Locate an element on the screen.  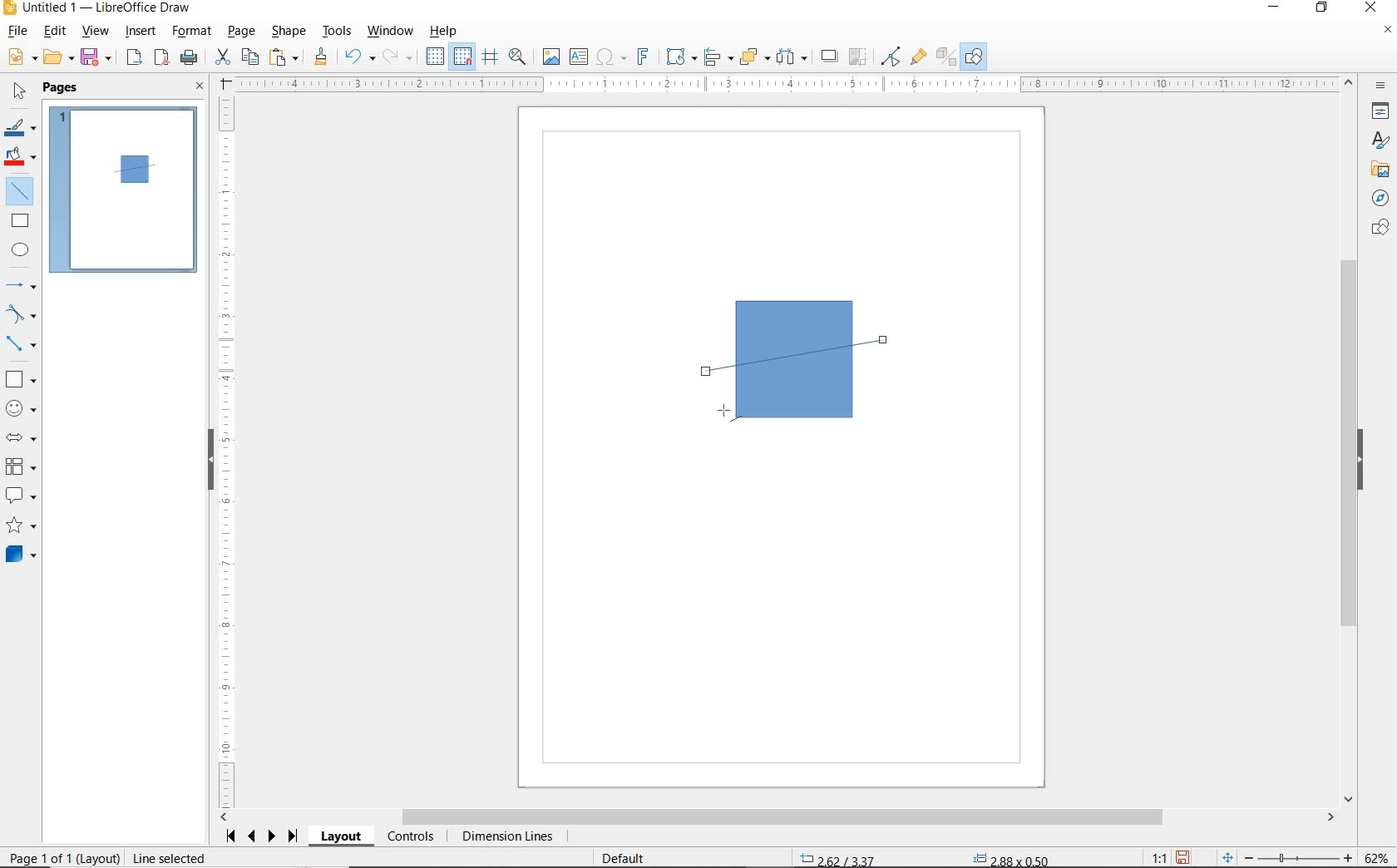
SCROLLBAR is located at coordinates (777, 817).